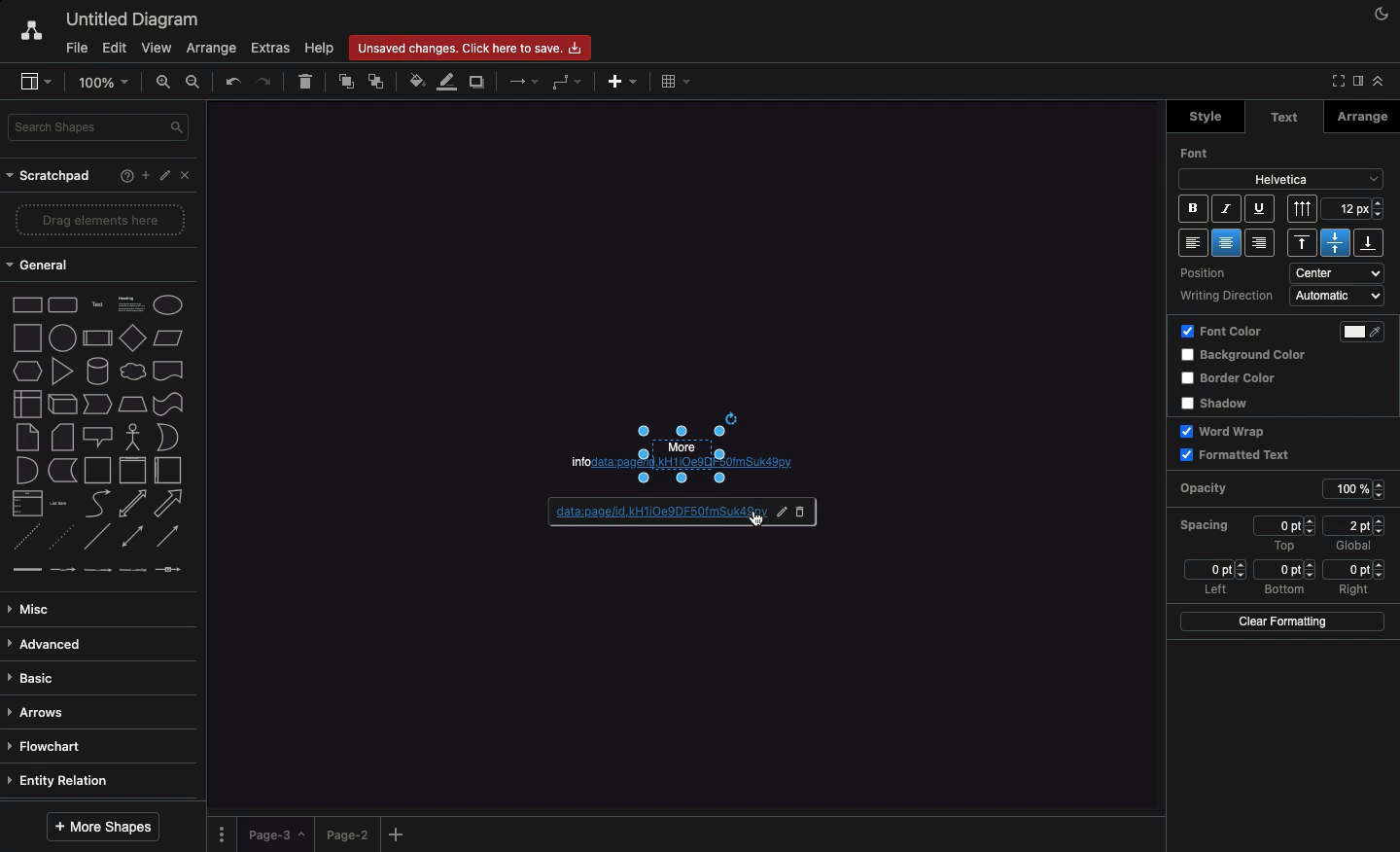  Describe the element at coordinates (318, 48) in the screenshot. I see `Help` at that location.